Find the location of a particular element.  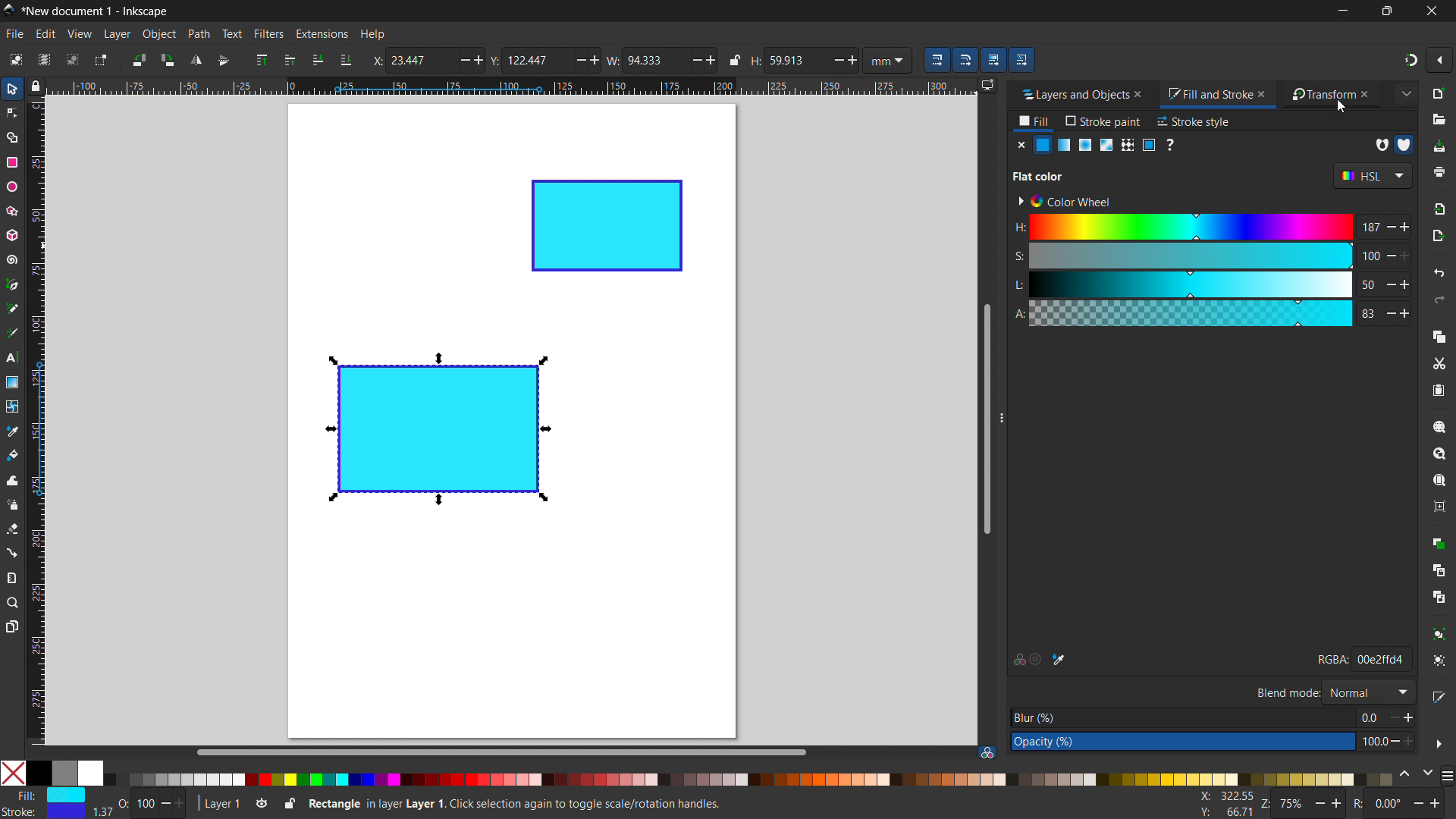

color palletes is located at coordinates (748, 779).